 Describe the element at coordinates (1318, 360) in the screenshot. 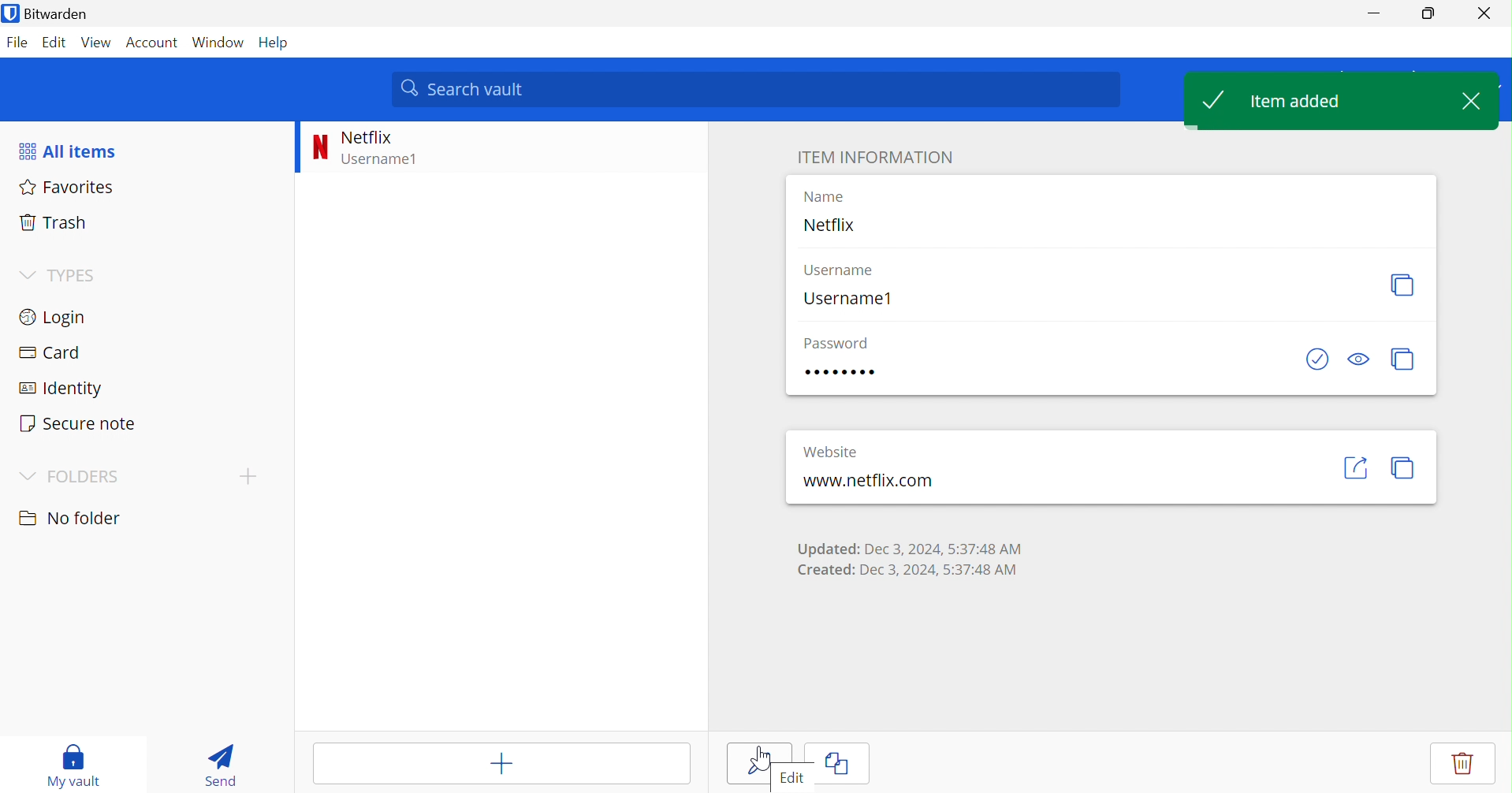

I see `Check if password has been exposed` at that location.